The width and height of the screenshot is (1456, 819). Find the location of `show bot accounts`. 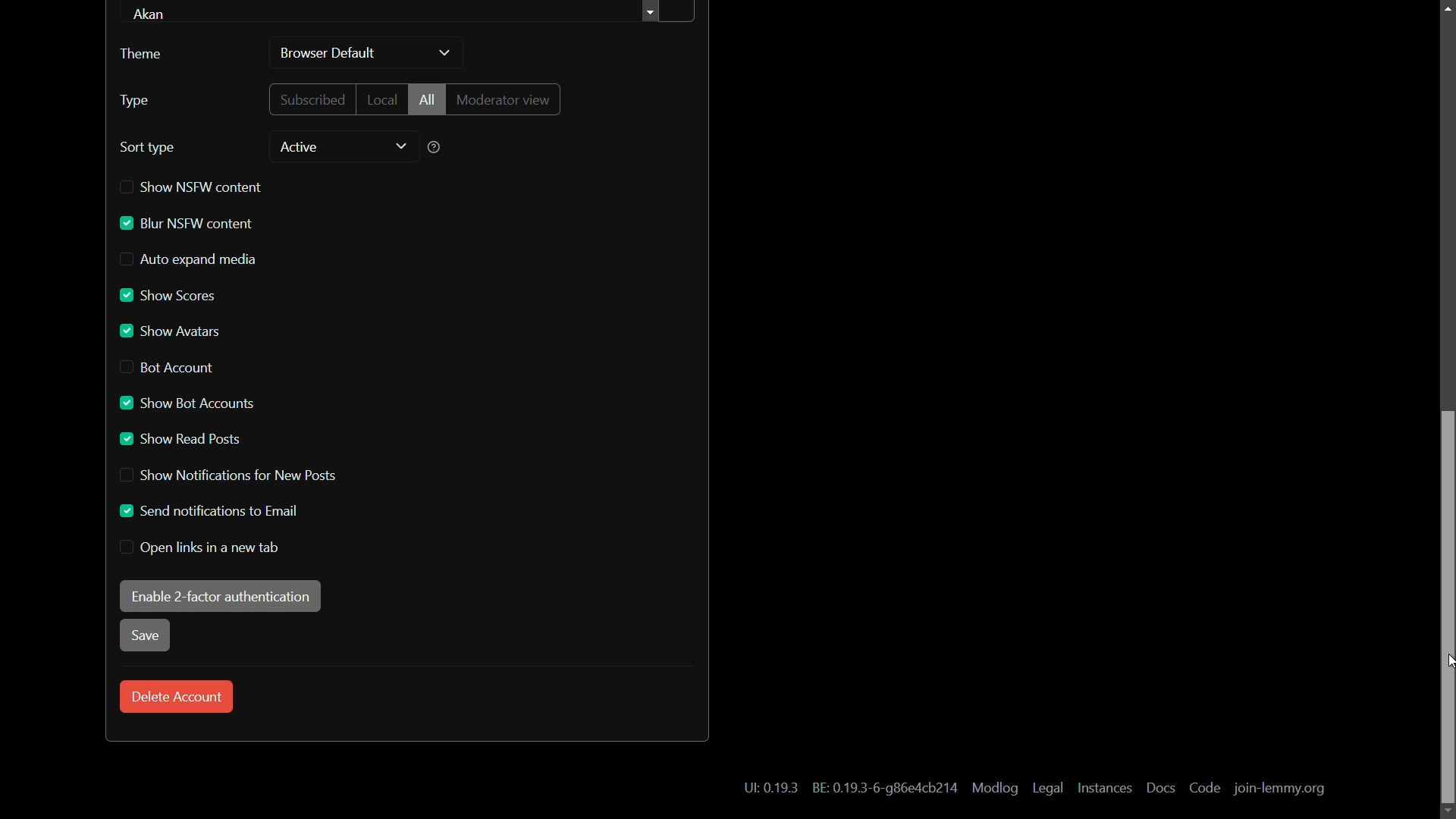

show bot accounts is located at coordinates (185, 403).